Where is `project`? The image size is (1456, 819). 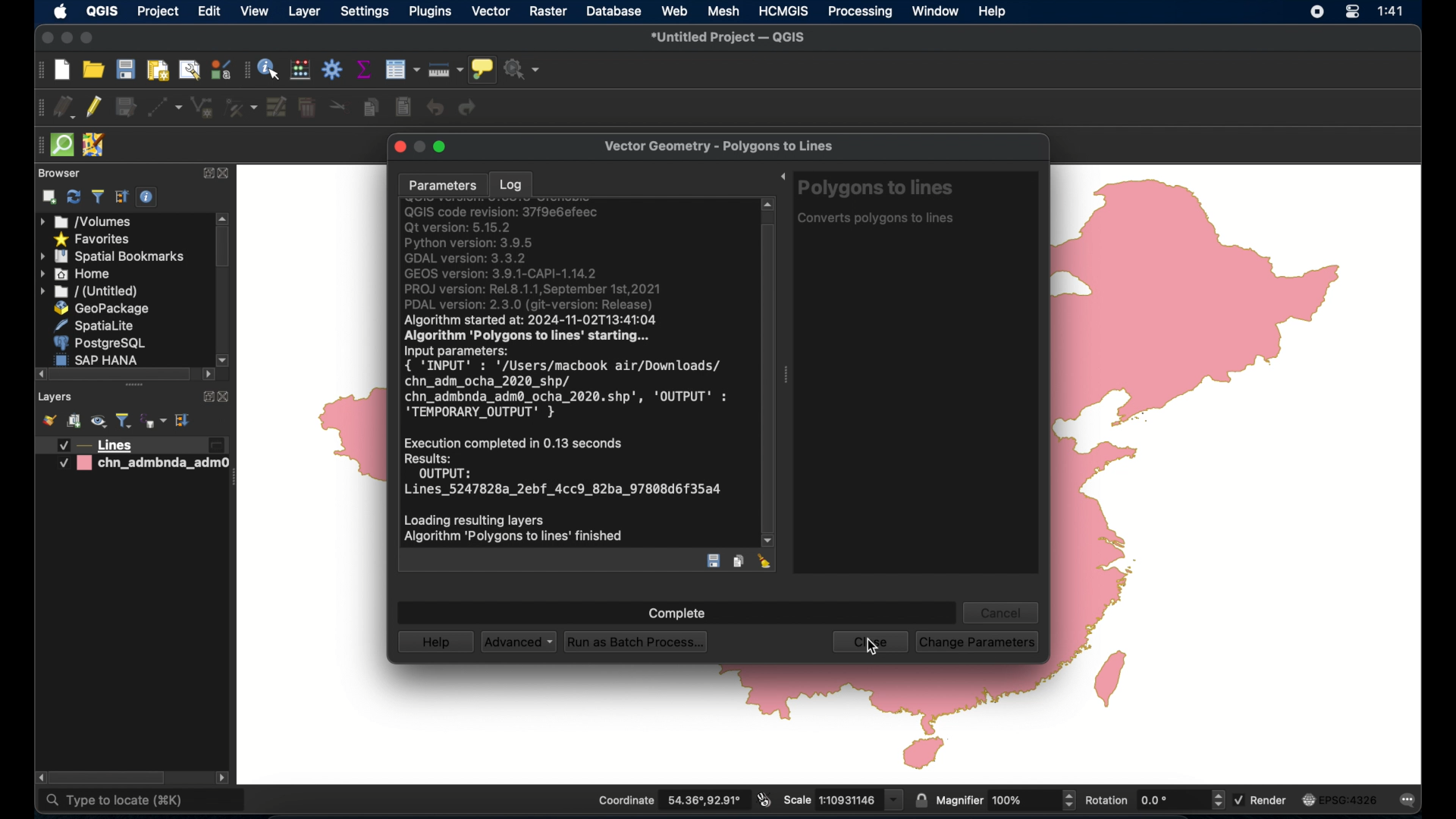
project is located at coordinates (158, 13).